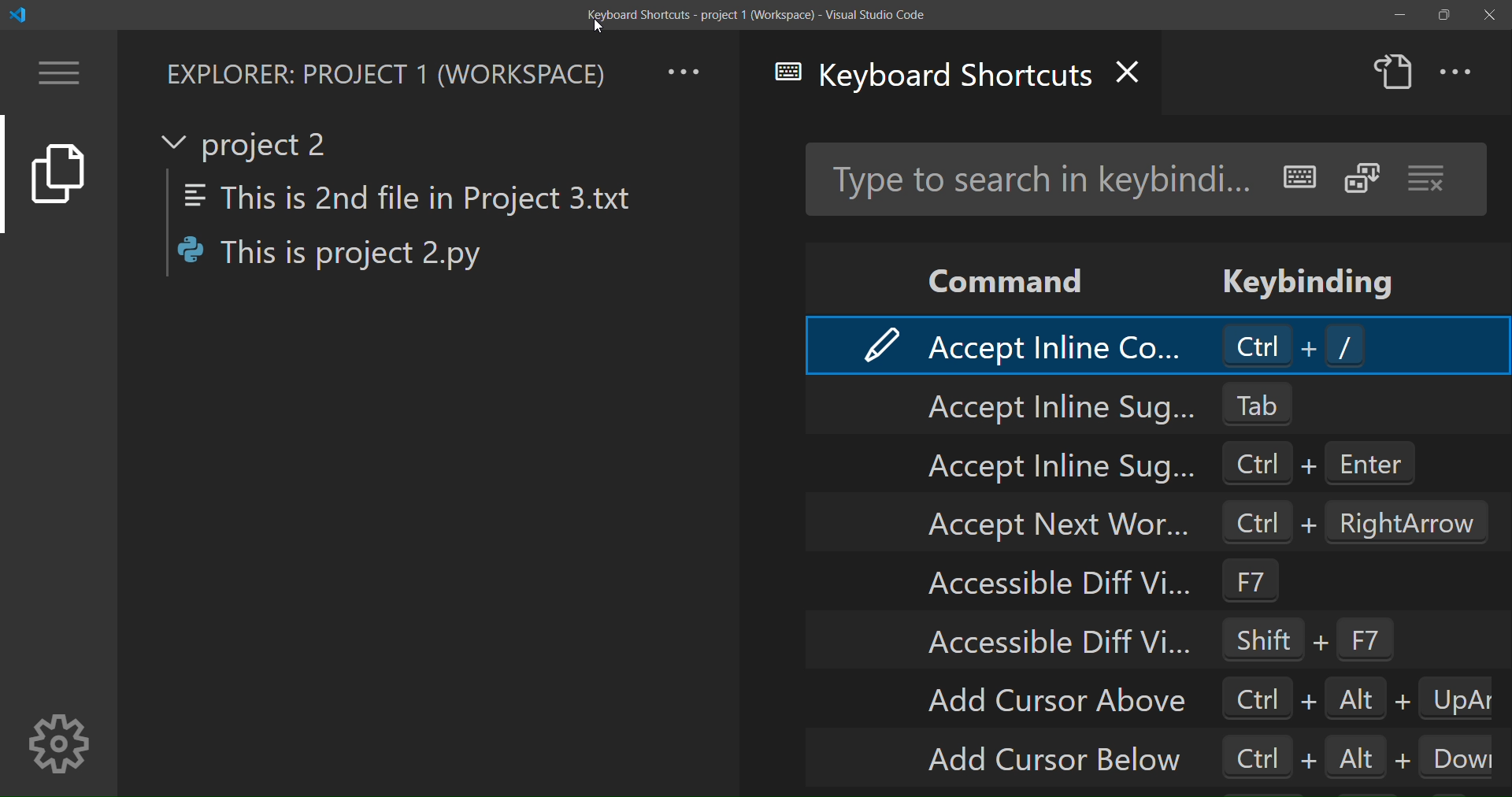 The height and width of the screenshot is (797, 1512). I want to click on add cursor above, so click(1057, 699).